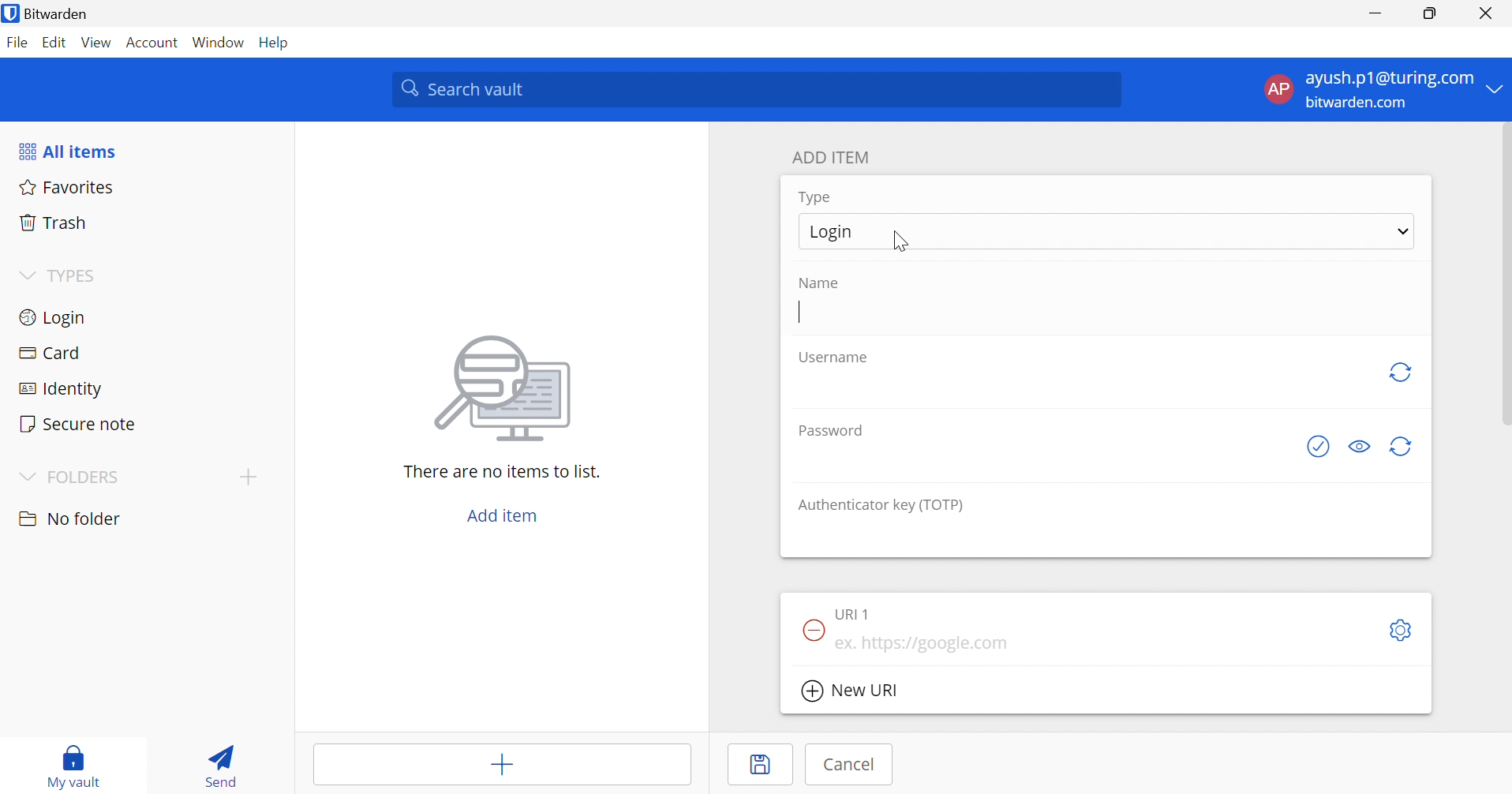 This screenshot has width=1512, height=794. What do you see at coordinates (54, 223) in the screenshot?
I see `Trash` at bounding box center [54, 223].